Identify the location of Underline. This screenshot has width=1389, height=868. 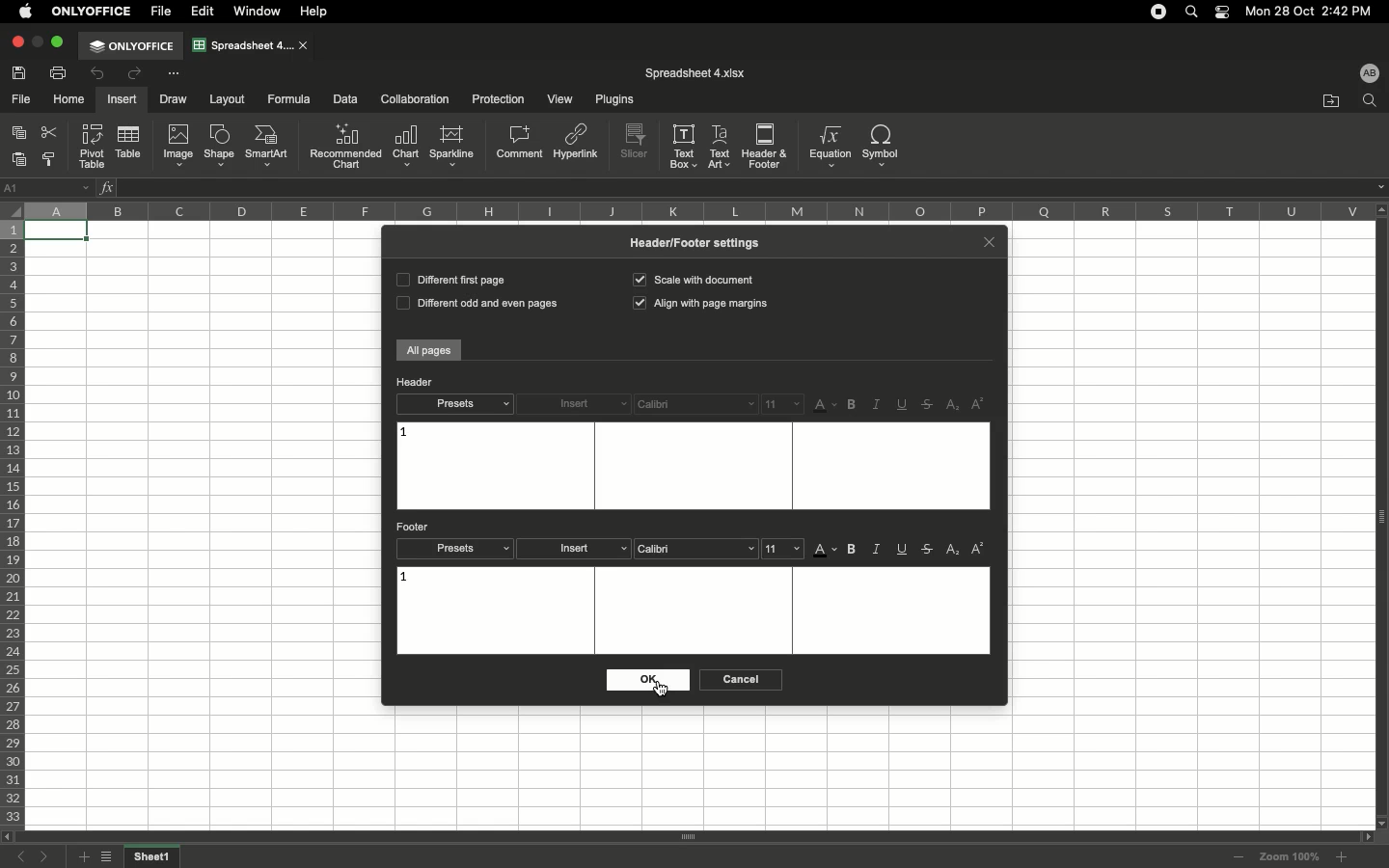
(904, 551).